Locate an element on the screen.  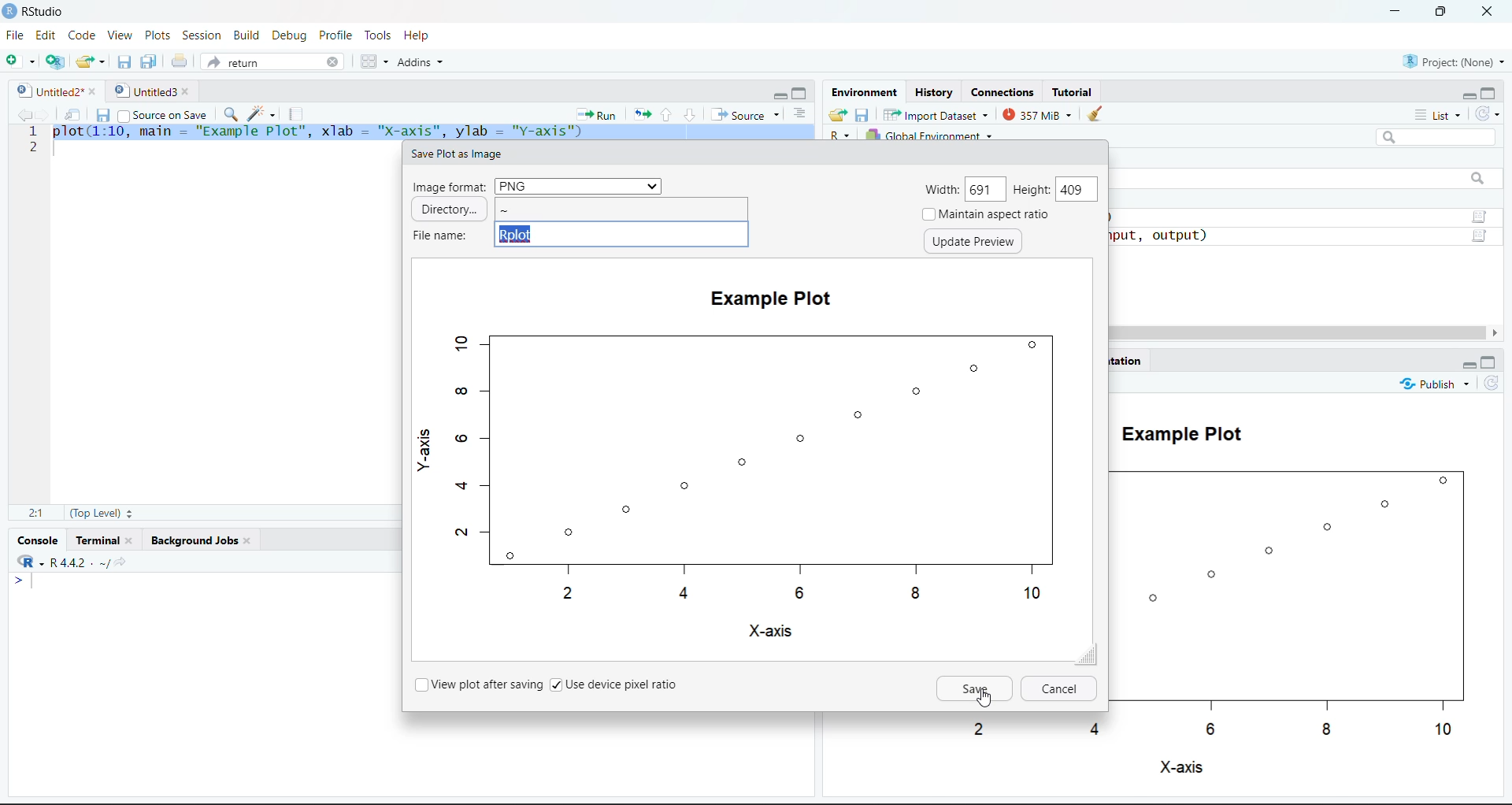
Close is located at coordinates (1490, 13).